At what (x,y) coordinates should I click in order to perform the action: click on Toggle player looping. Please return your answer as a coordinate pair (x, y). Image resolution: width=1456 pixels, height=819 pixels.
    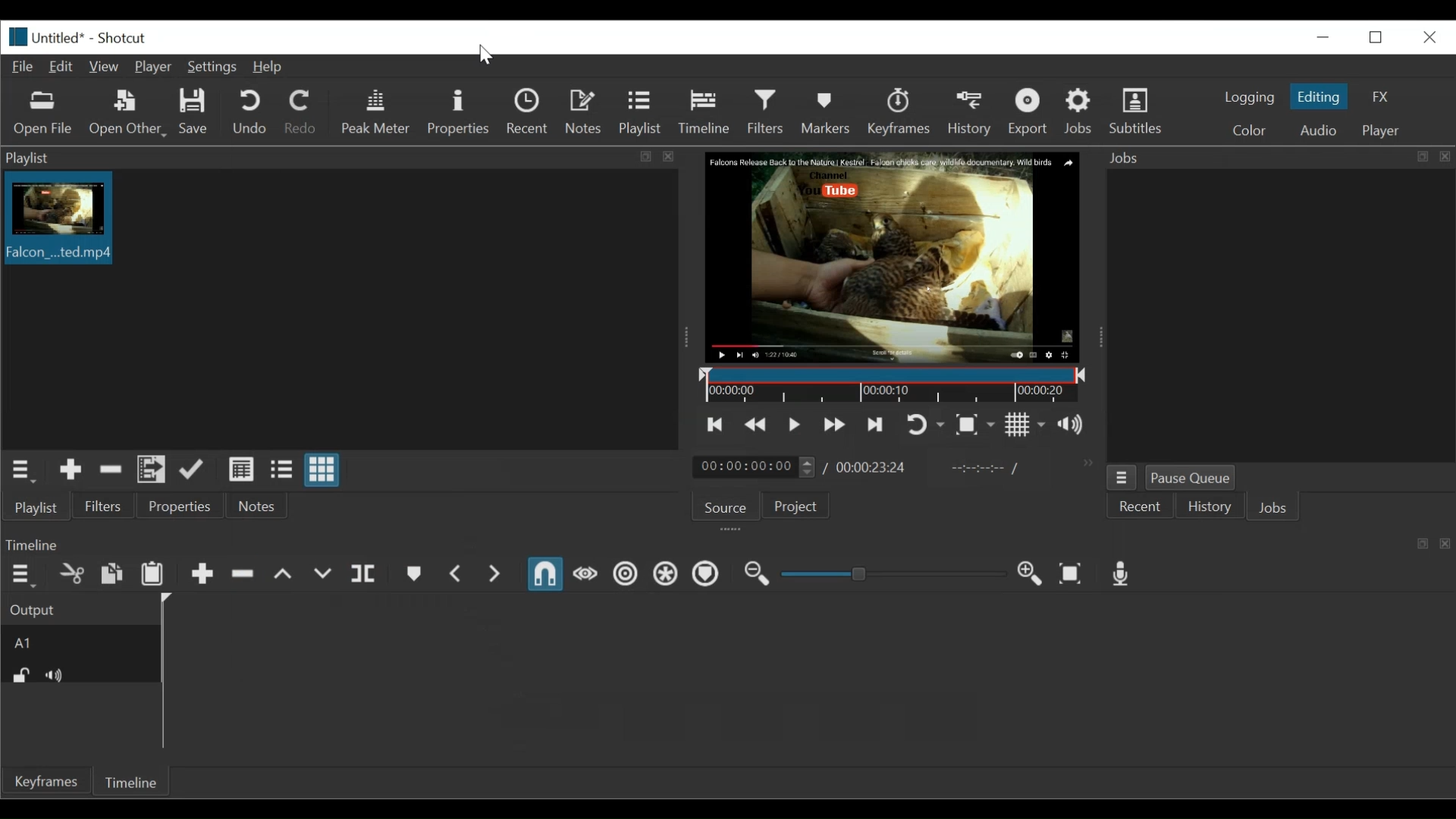
    Looking at the image, I should click on (925, 425).